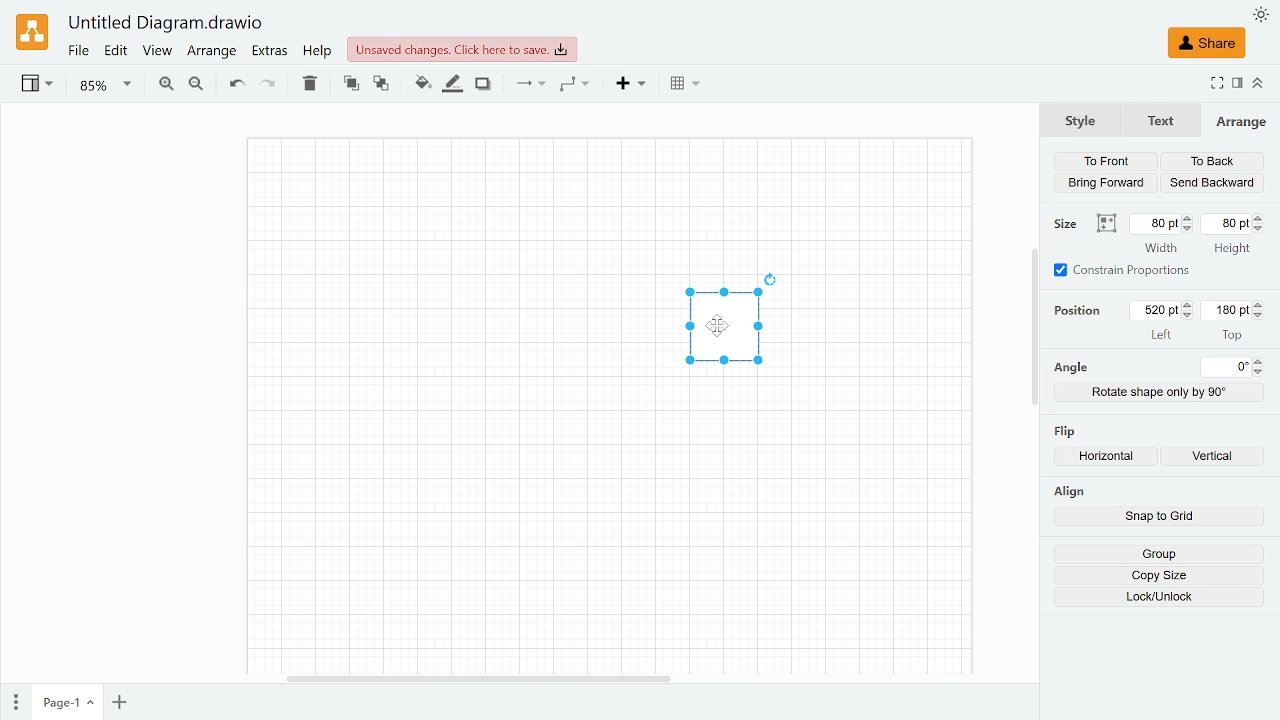  What do you see at coordinates (1159, 576) in the screenshot?
I see `Copy size` at bounding box center [1159, 576].